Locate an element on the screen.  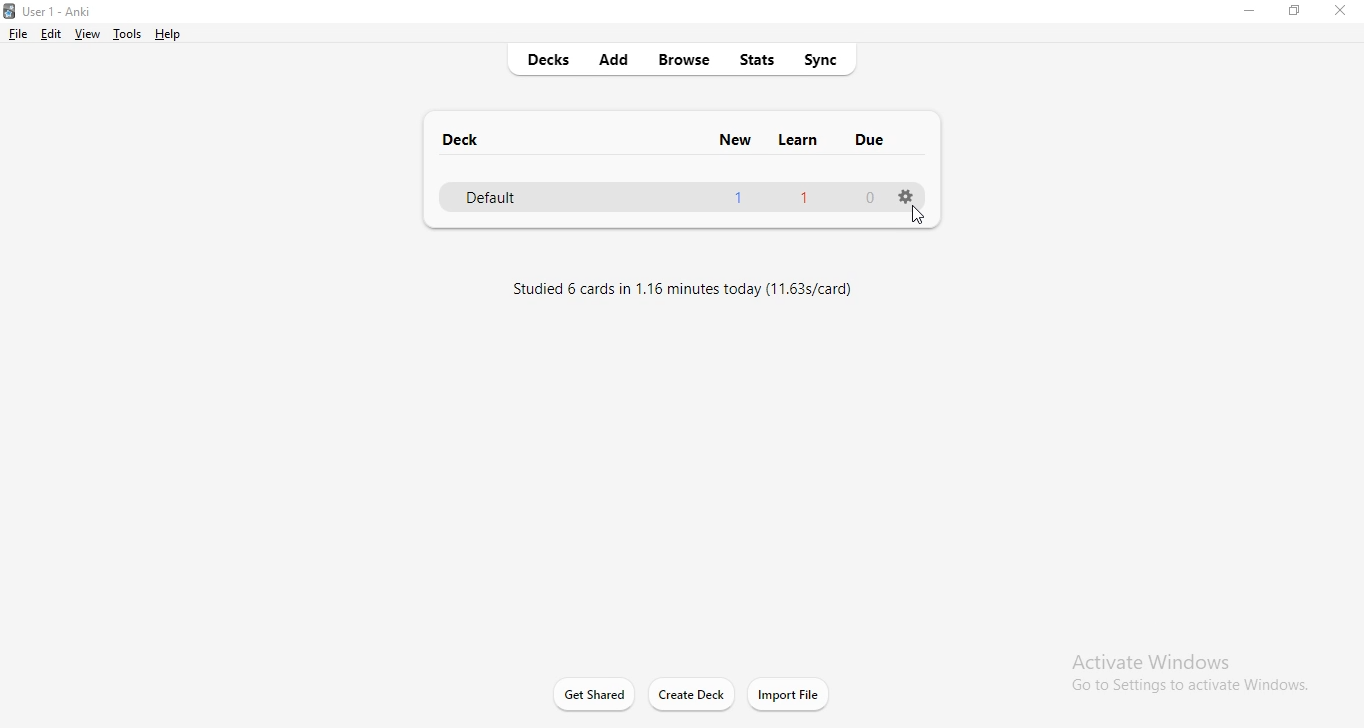
minimise is located at coordinates (1247, 15).